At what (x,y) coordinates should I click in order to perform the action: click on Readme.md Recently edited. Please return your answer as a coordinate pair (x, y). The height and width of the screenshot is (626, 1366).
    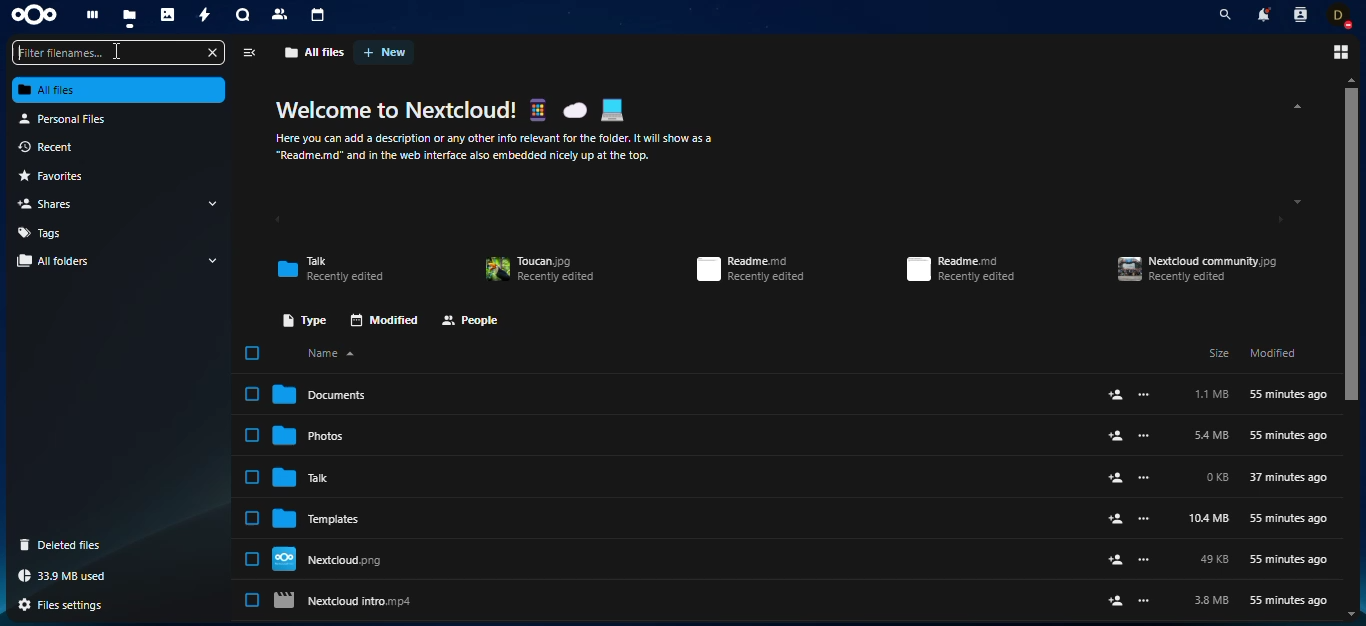
    Looking at the image, I should click on (750, 269).